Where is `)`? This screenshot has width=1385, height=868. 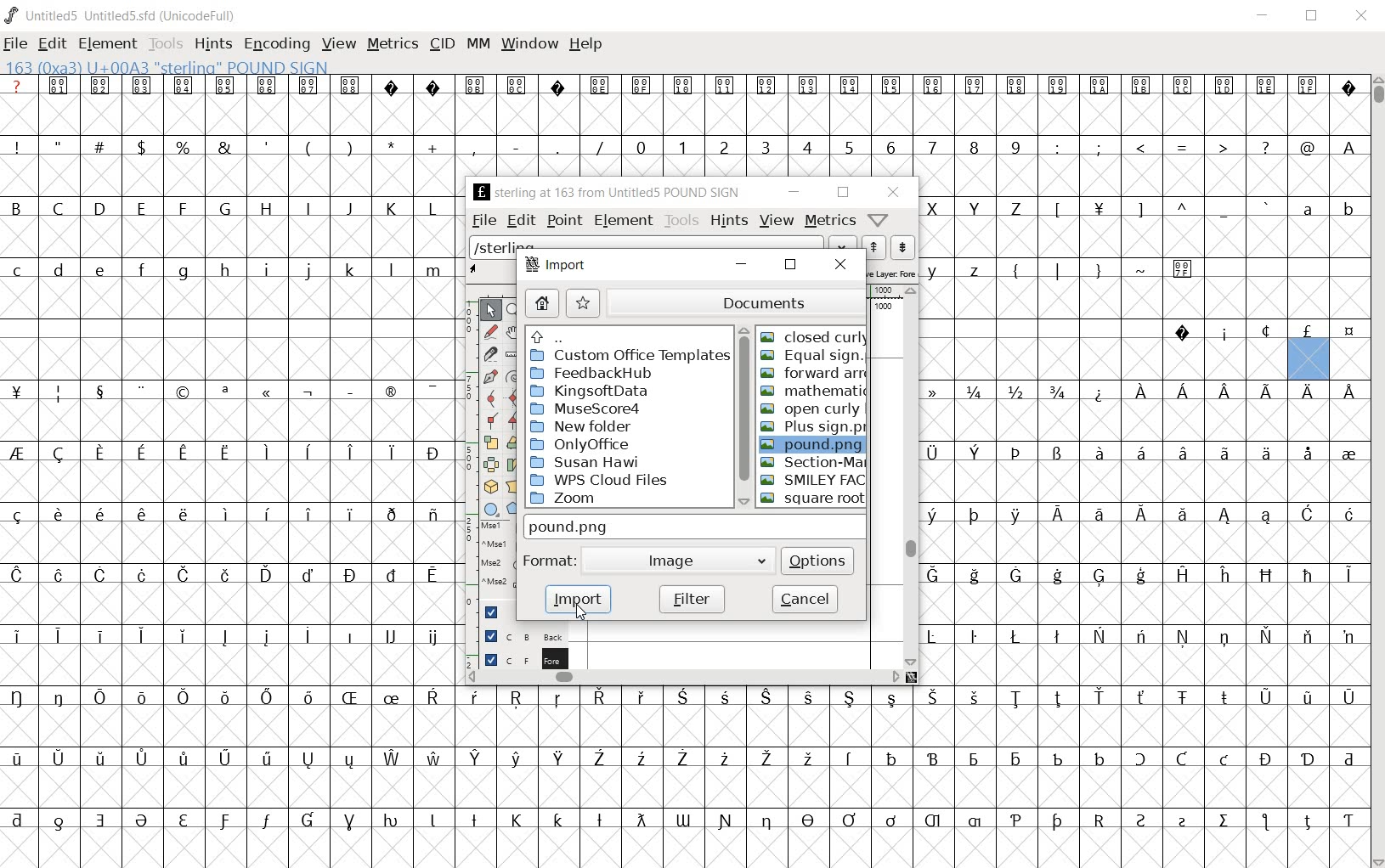 ) is located at coordinates (352, 146).